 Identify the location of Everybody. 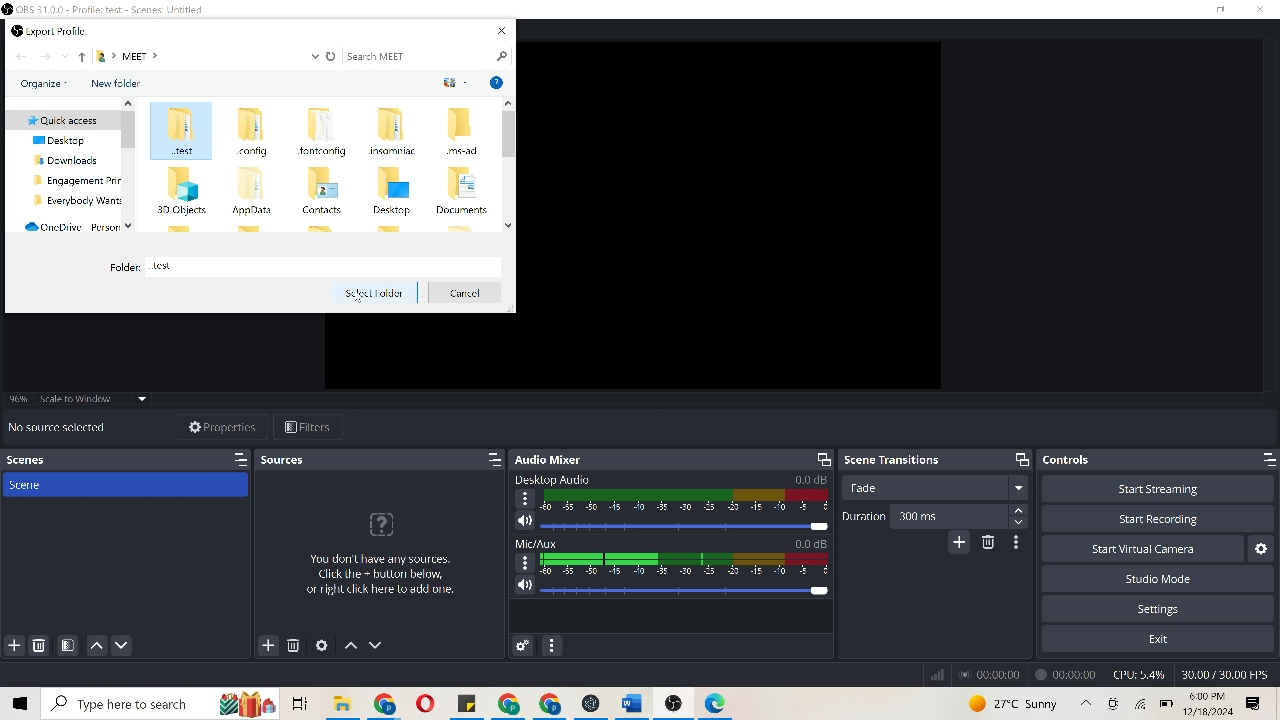
(72, 203).